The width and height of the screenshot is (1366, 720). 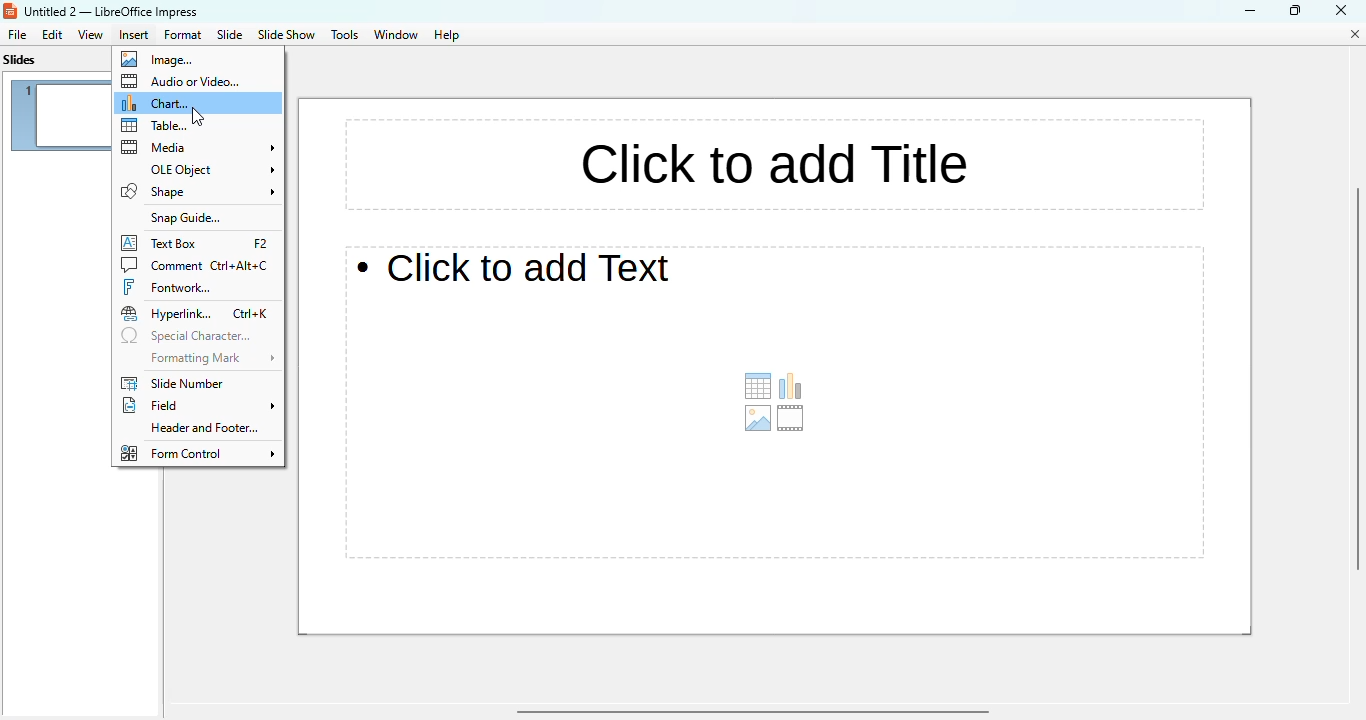 What do you see at coordinates (791, 386) in the screenshot?
I see `insert chart` at bounding box center [791, 386].